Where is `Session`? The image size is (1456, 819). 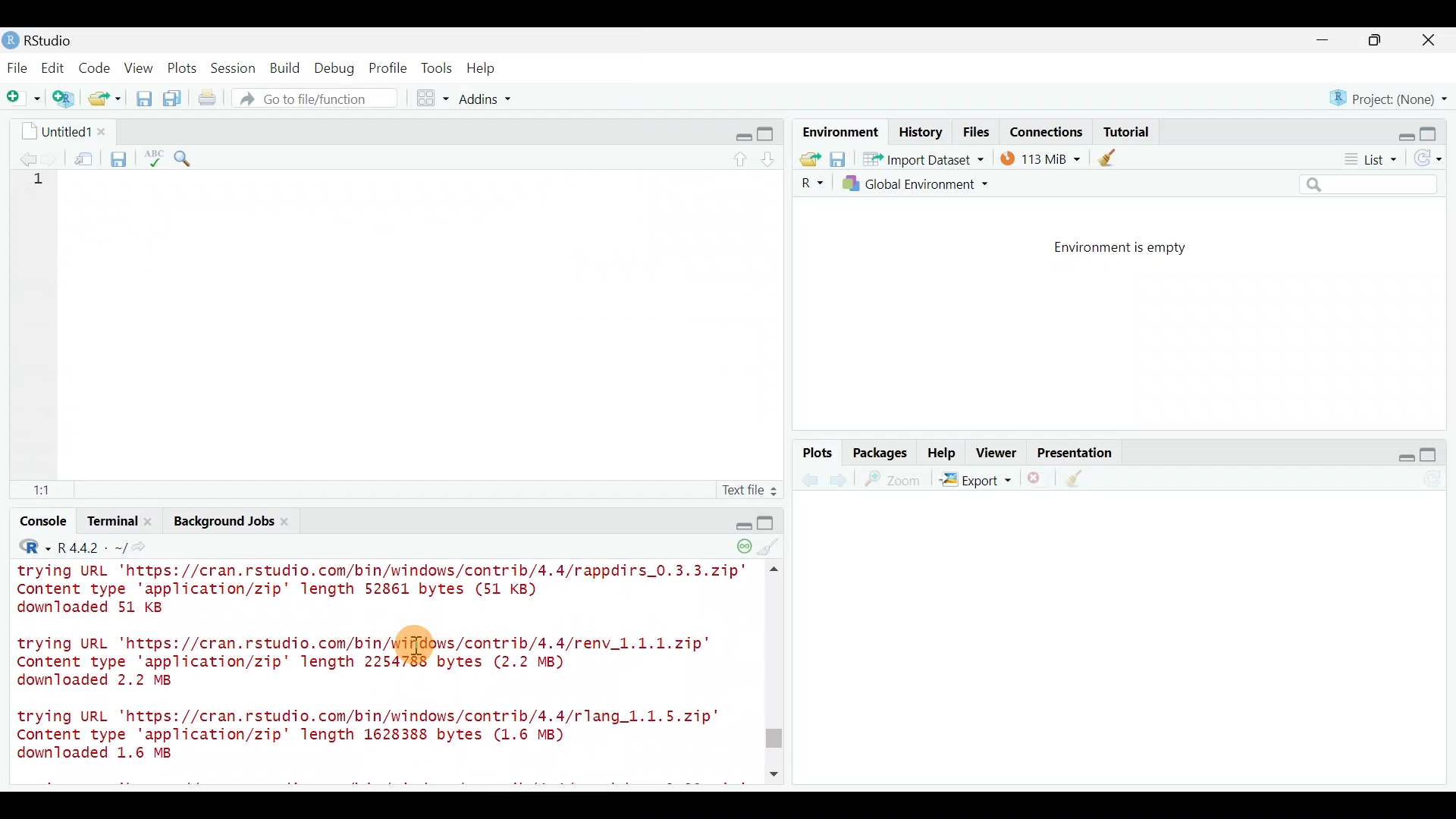 Session is located at coordinates (236, 67).